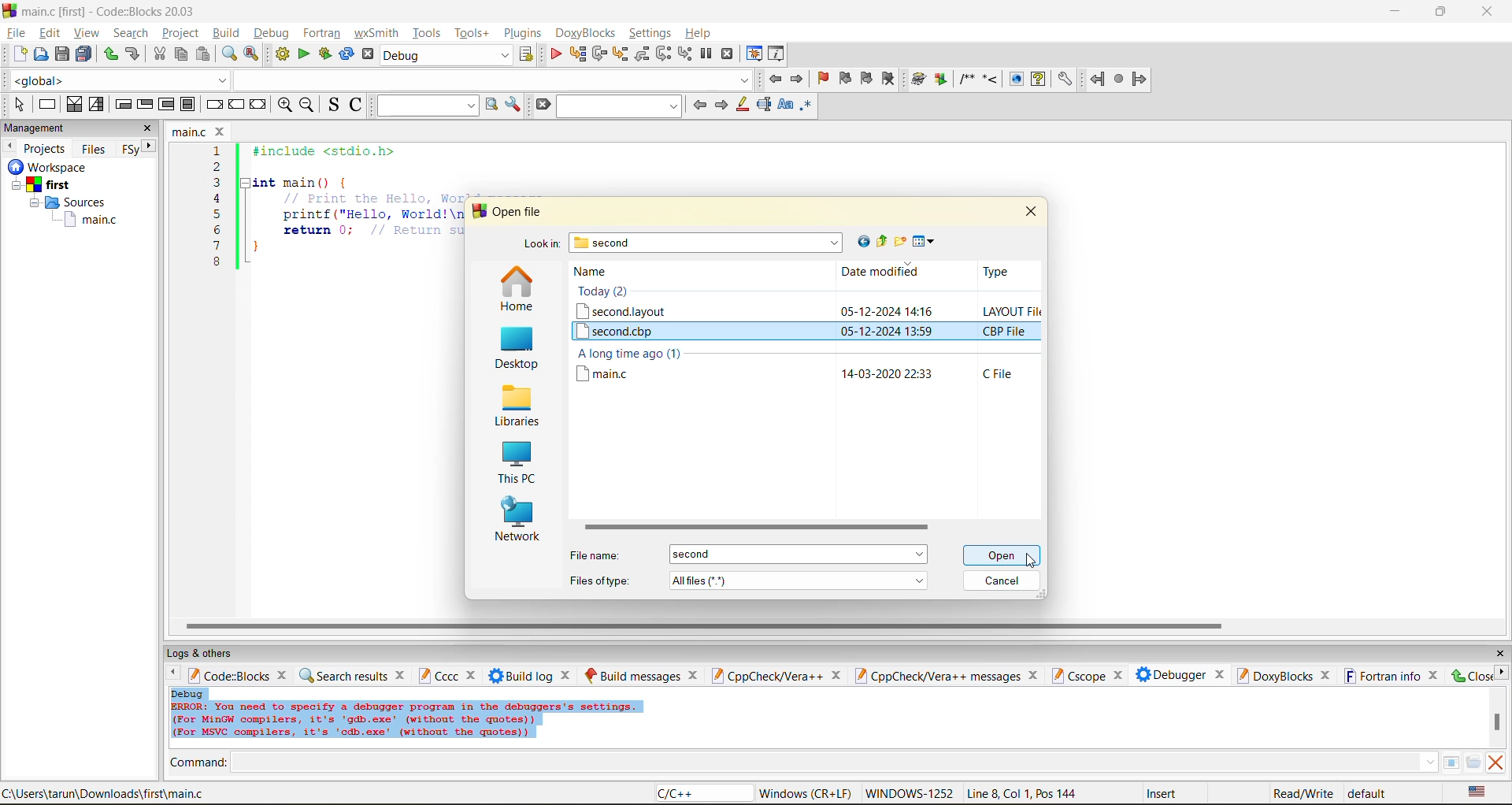  Describe the element at coordinates (708, 243) in the screenshot. I see `folder name` at that location.